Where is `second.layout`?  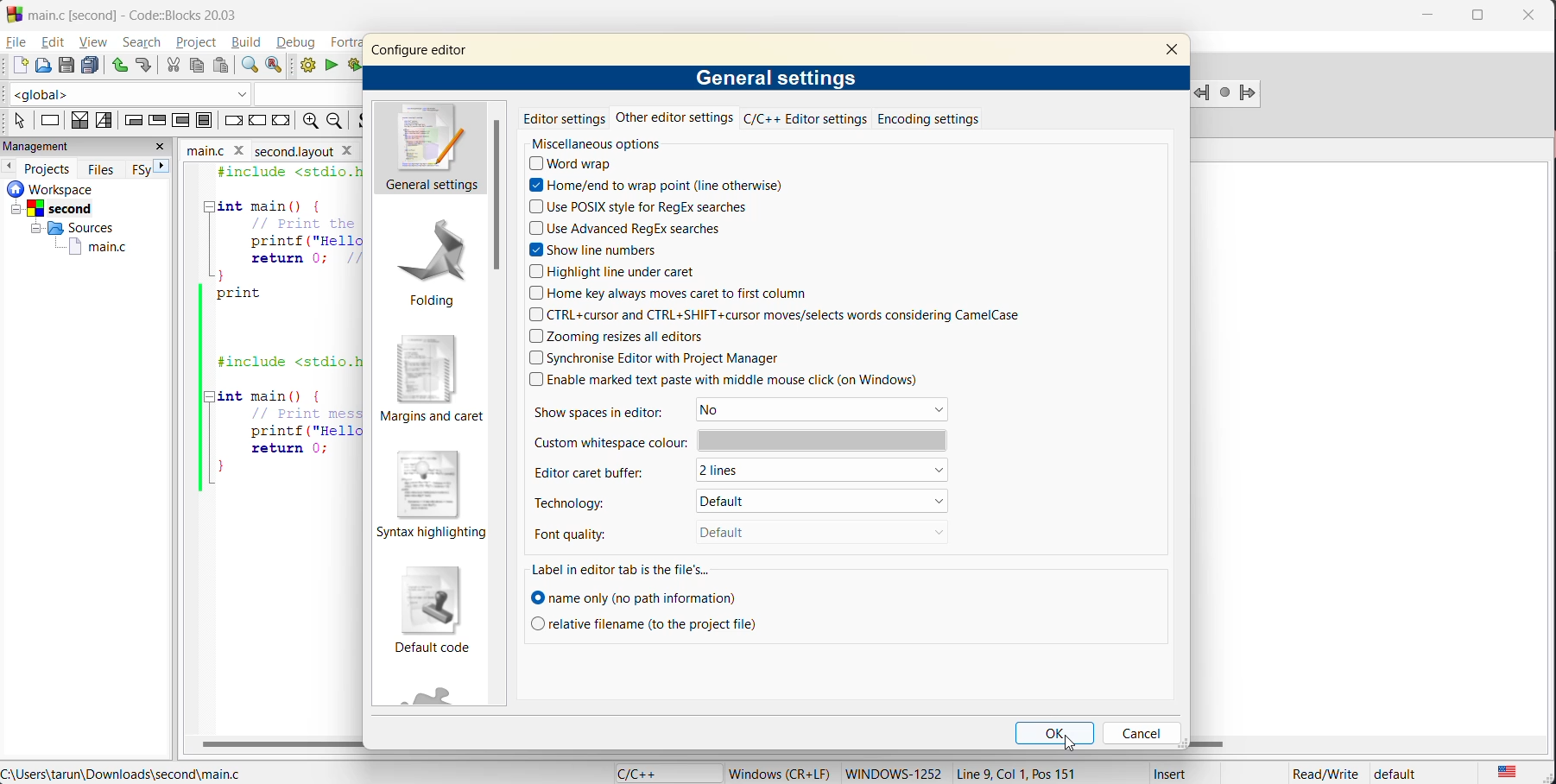
second.layout is located at coordinates (292, 151).